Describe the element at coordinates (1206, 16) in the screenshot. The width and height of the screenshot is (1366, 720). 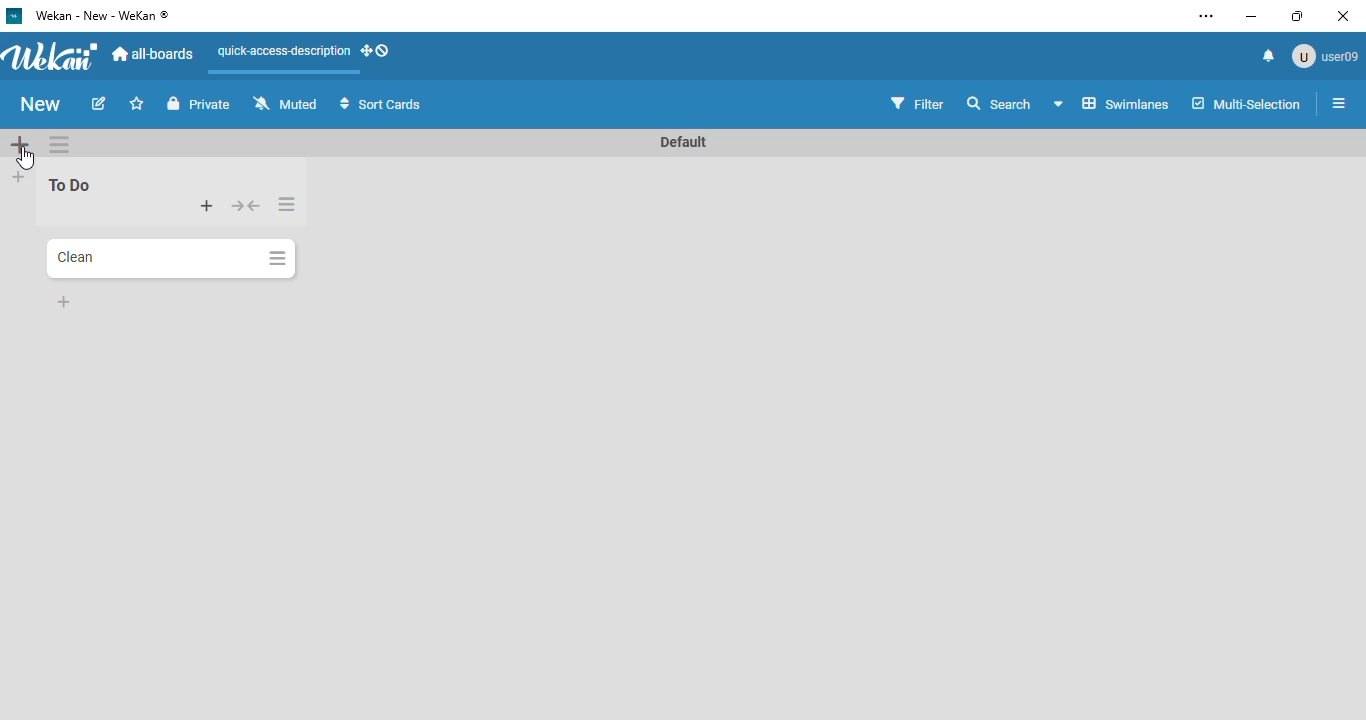
I see `settings and more` at that location.